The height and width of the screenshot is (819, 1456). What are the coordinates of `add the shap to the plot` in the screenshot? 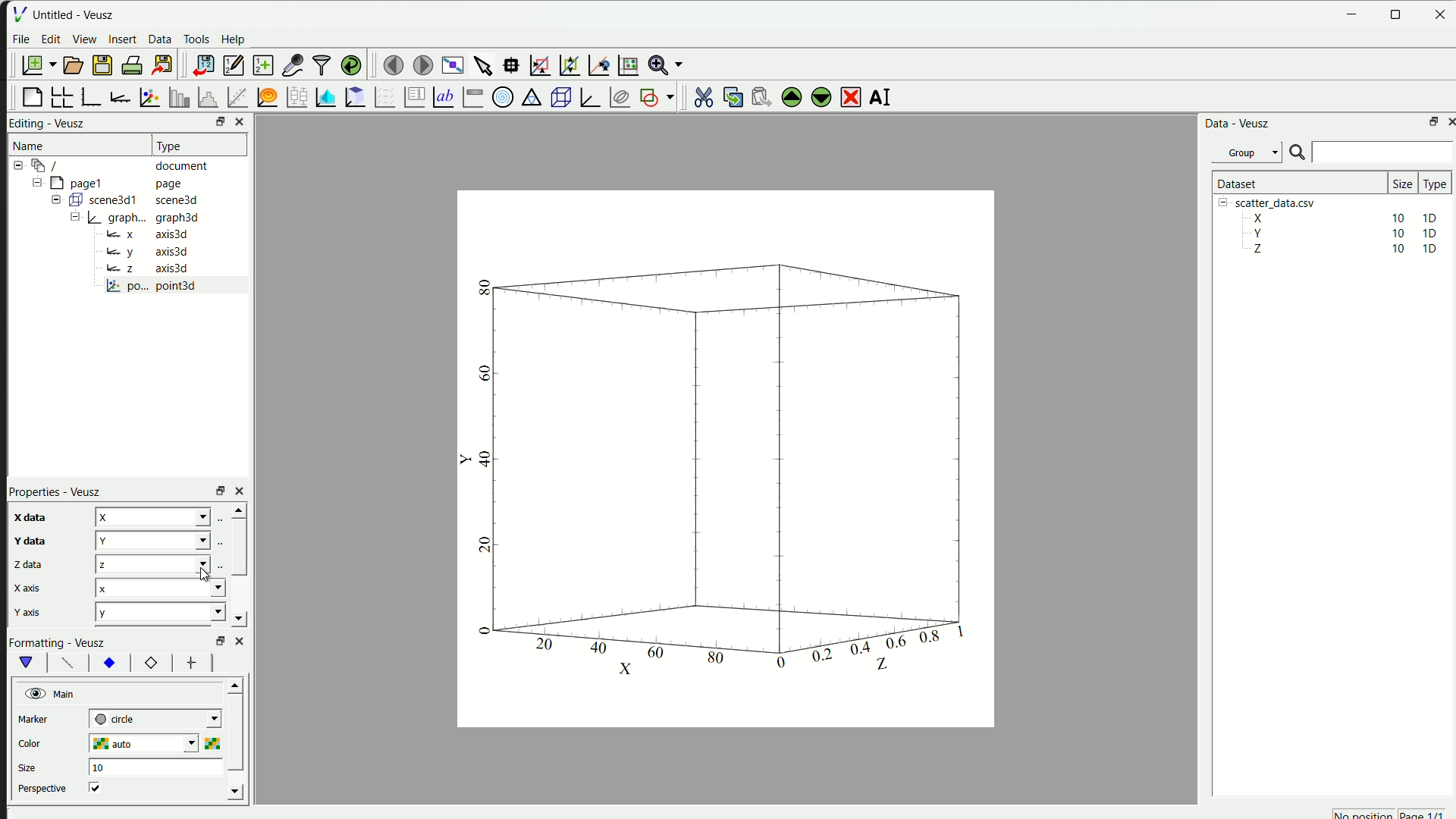 It's located at (656, 96).